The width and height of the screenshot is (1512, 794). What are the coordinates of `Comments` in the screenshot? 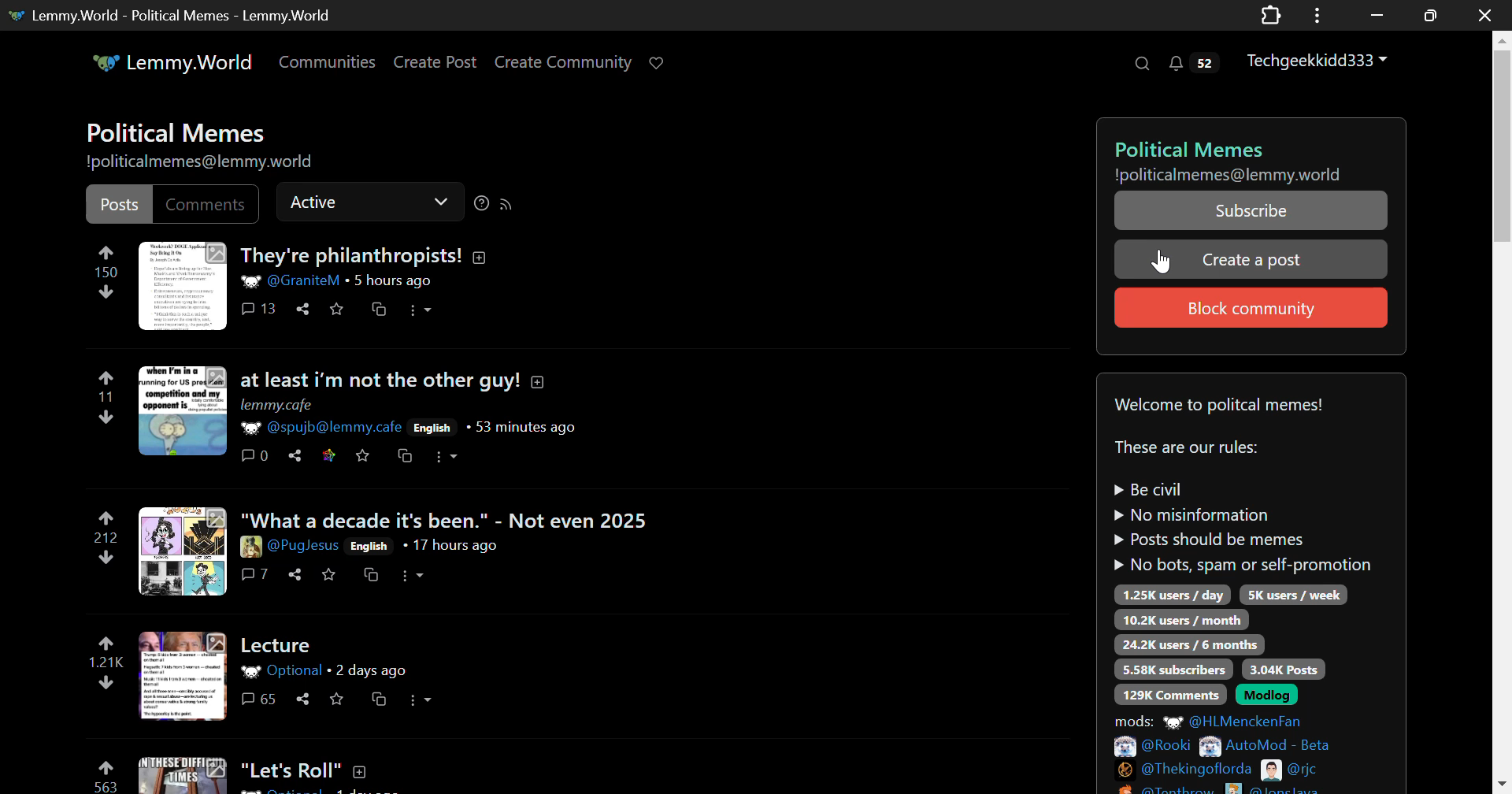 It's located at (256, 455).